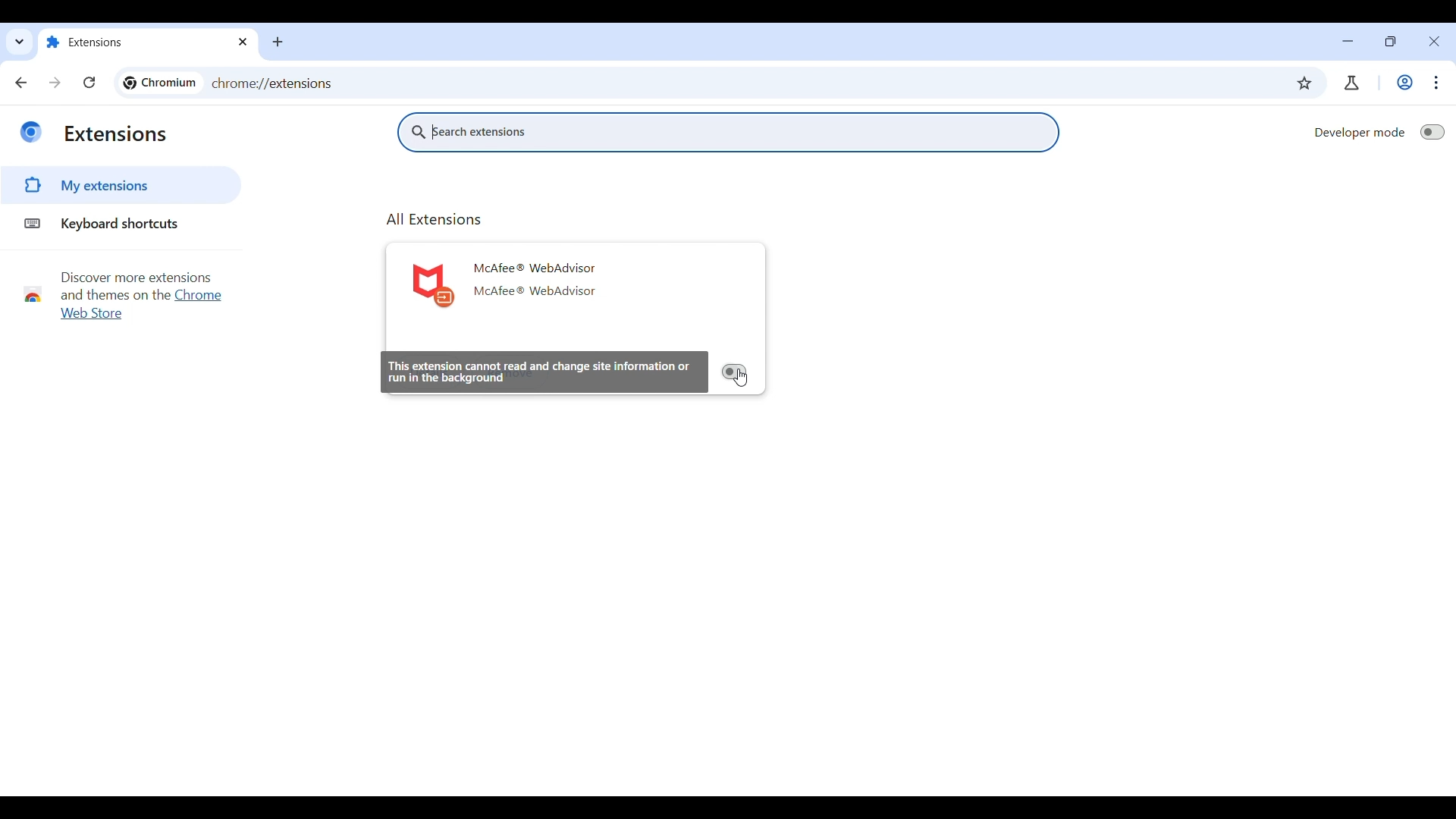  Describe the element at coordinates (274, 83) in the screenshot. I see `chrome://extensions` at that location.